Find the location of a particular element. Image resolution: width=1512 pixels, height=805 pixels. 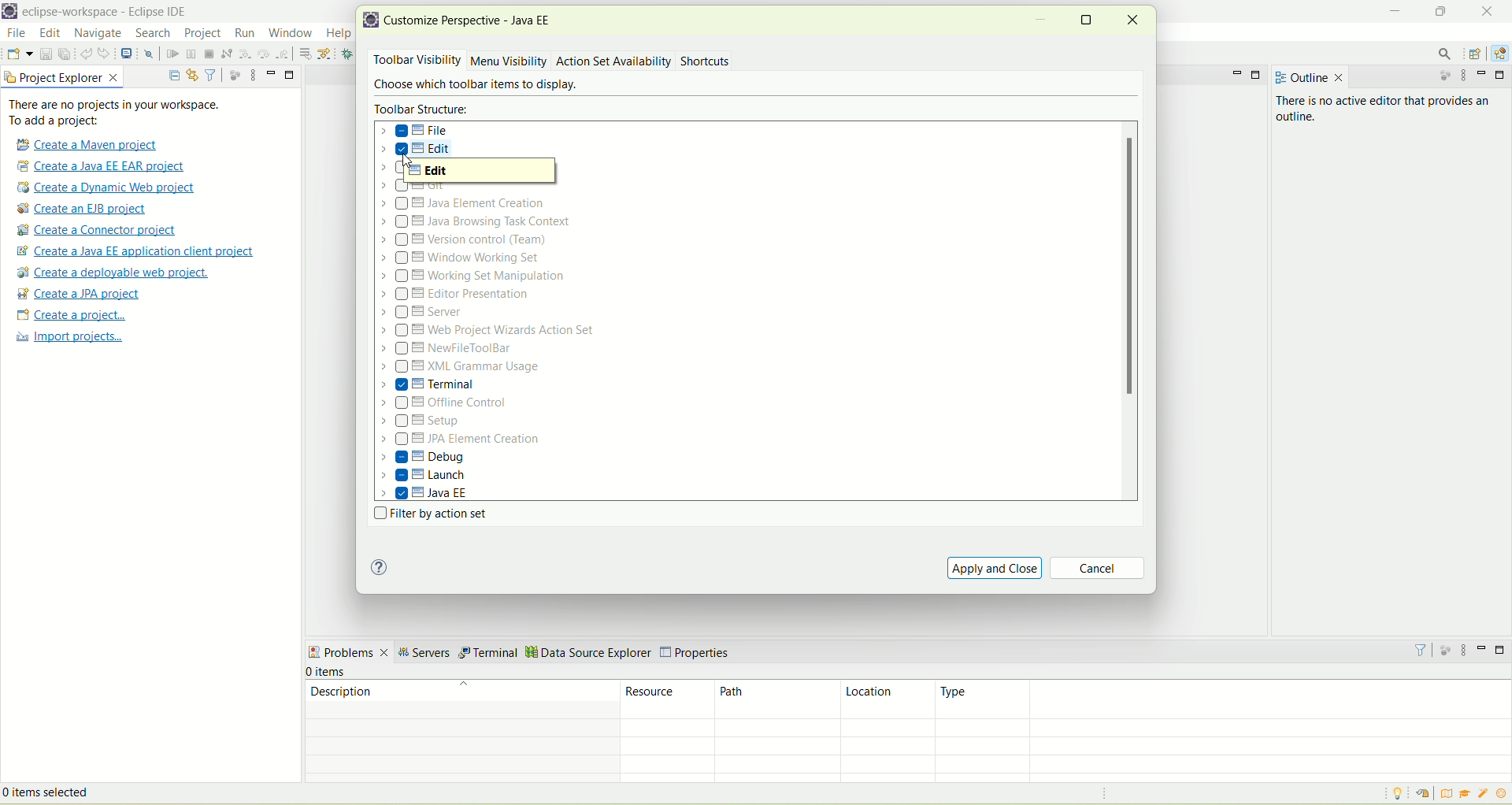

project explorer is located at coordinates (62, 77).